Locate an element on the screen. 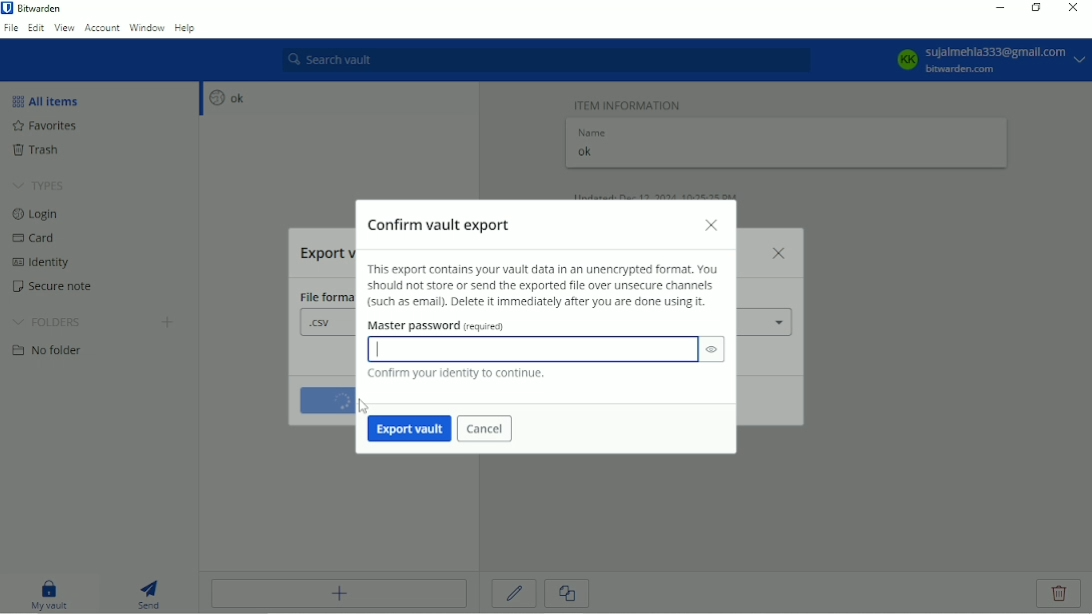 Image resolution: width=1092 pixels, height=614 pixels. Card is located at coordinates (38, 240).